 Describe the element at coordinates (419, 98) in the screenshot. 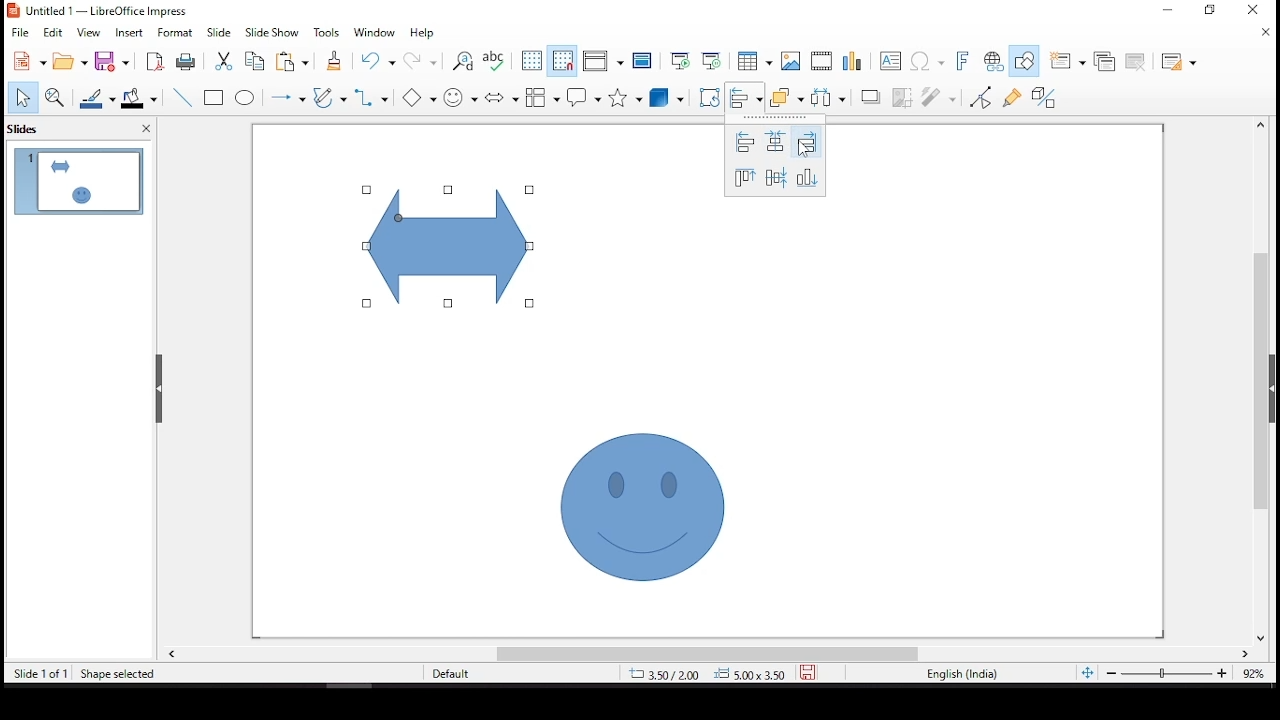

I see `basic shapes` at that location.